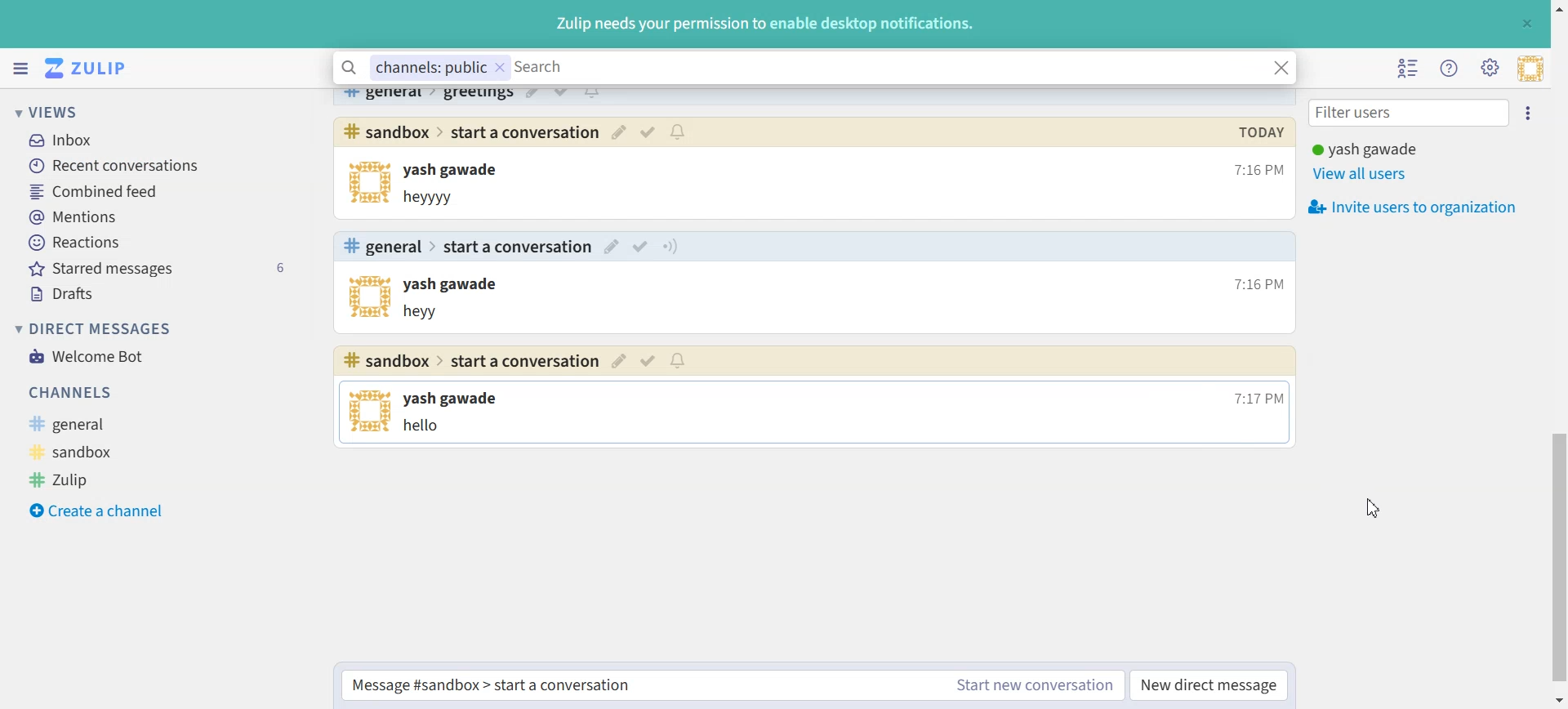  I want to click on Message #sandbox > start a conversation Start new conversation, so click(732, 685).